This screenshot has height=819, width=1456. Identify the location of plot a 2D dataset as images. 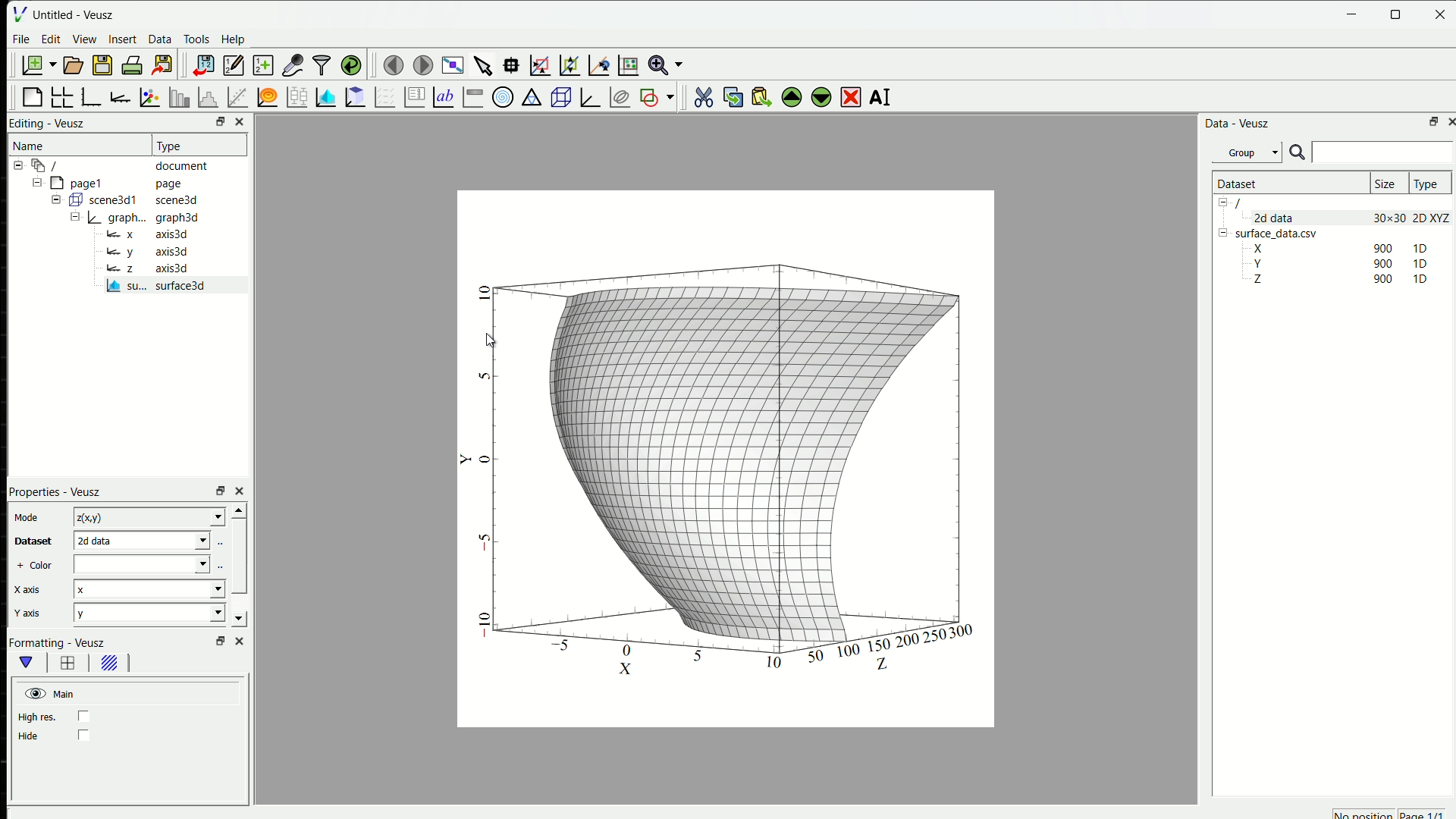
(327, 96).